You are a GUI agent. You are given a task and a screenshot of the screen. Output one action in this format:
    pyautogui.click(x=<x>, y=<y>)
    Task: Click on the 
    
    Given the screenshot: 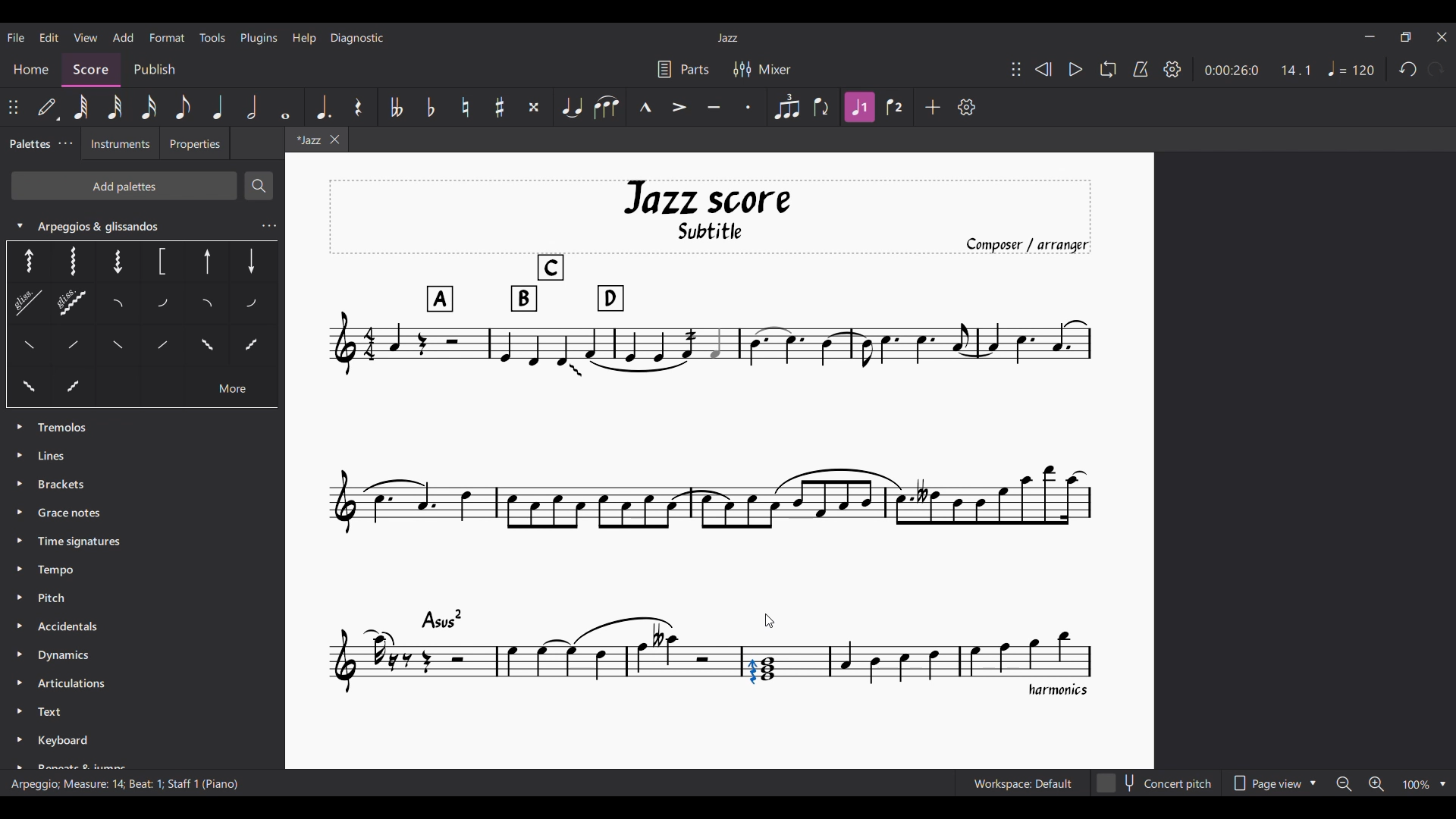 What is the action you would take?
    pyautogui.click(x=252, y=306)
    